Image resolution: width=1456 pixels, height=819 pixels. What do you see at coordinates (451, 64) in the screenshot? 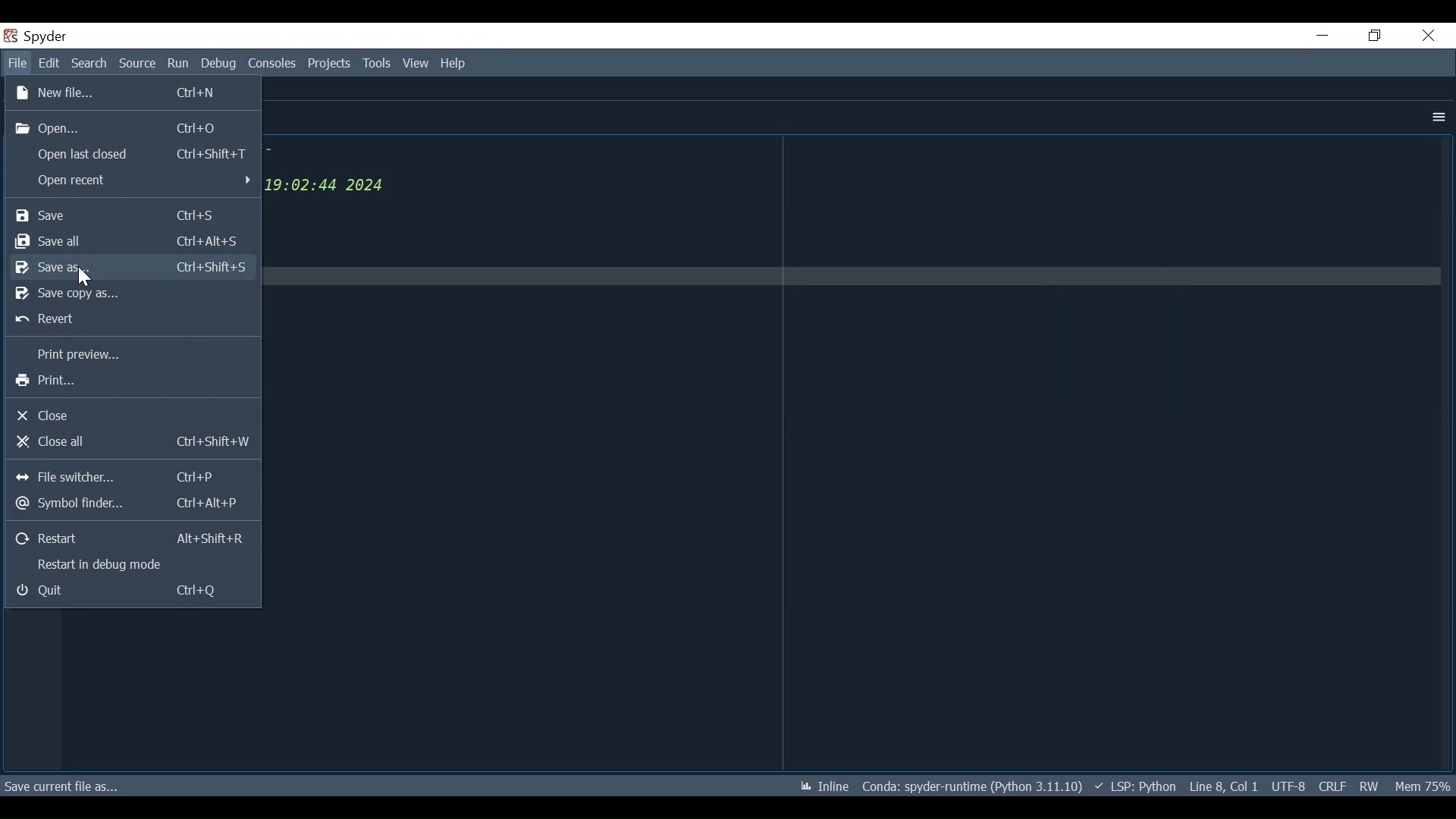
I see `Help` at bounding box center [451, 64].